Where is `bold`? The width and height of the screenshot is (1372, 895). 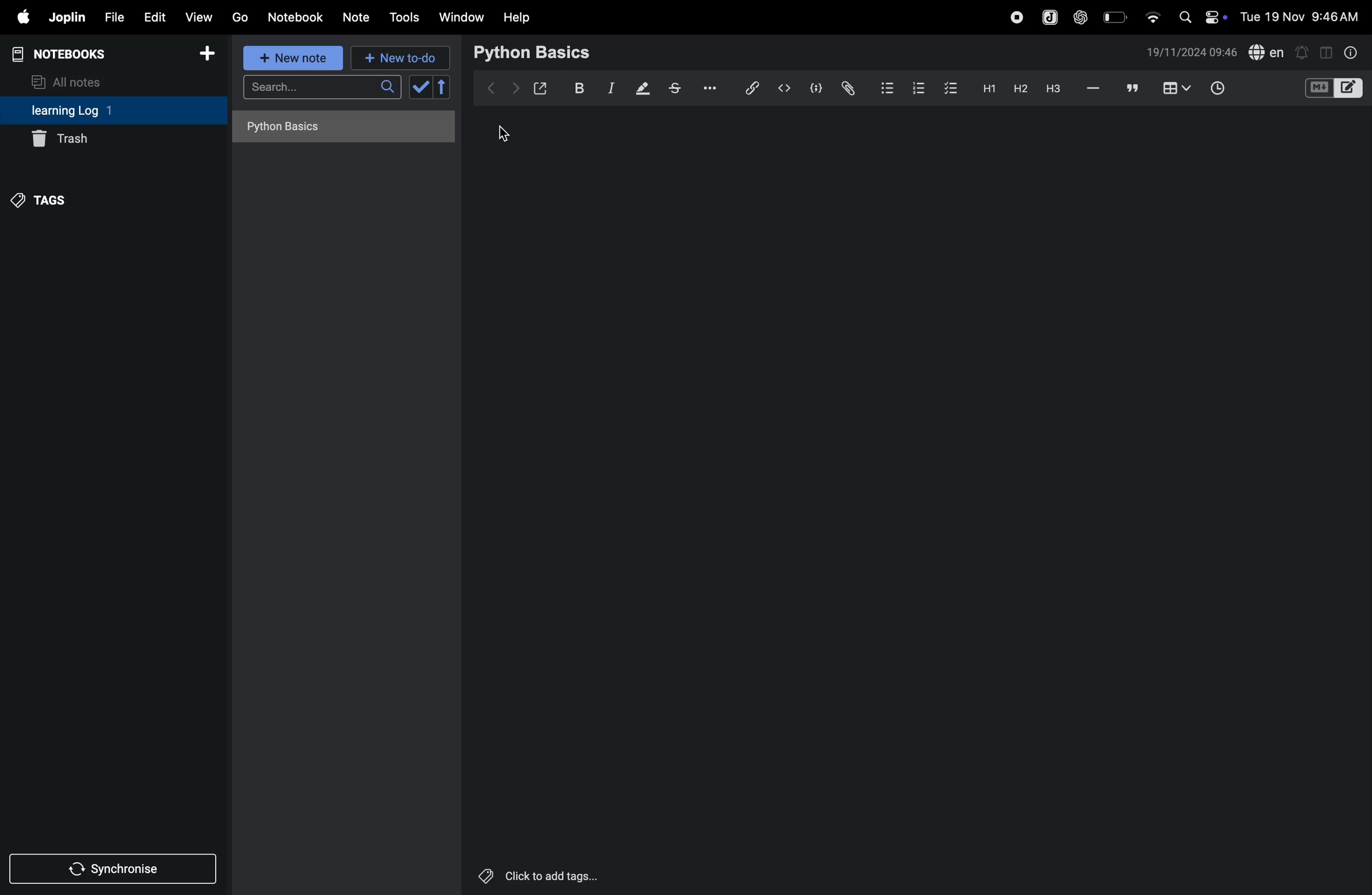
bold is located at coordinates (576, 88).